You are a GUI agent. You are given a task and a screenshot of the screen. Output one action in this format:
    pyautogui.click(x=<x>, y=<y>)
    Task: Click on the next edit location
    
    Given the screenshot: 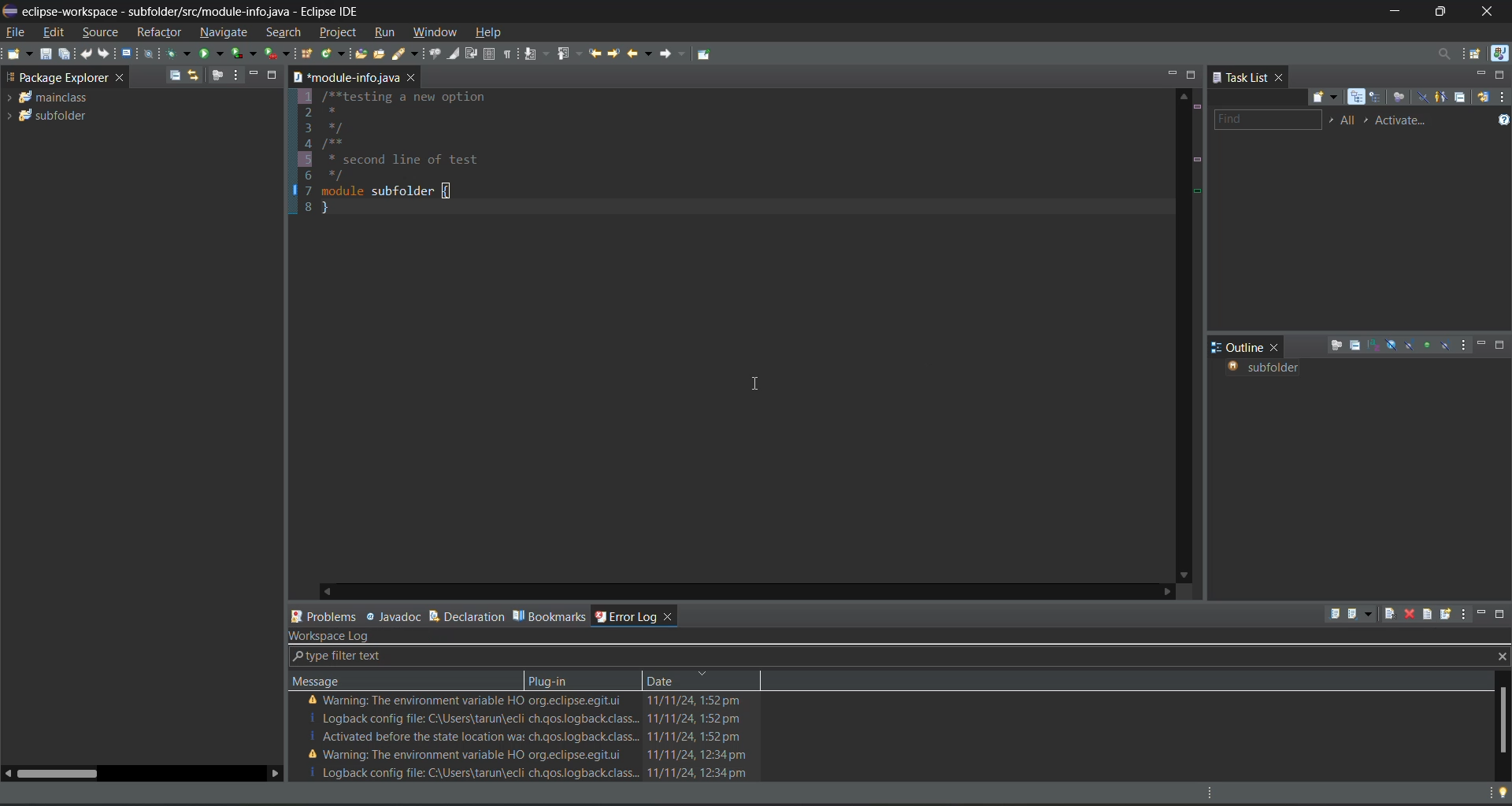 What is the action you would take?
    pyautogui.click(x=617, y=55)
    